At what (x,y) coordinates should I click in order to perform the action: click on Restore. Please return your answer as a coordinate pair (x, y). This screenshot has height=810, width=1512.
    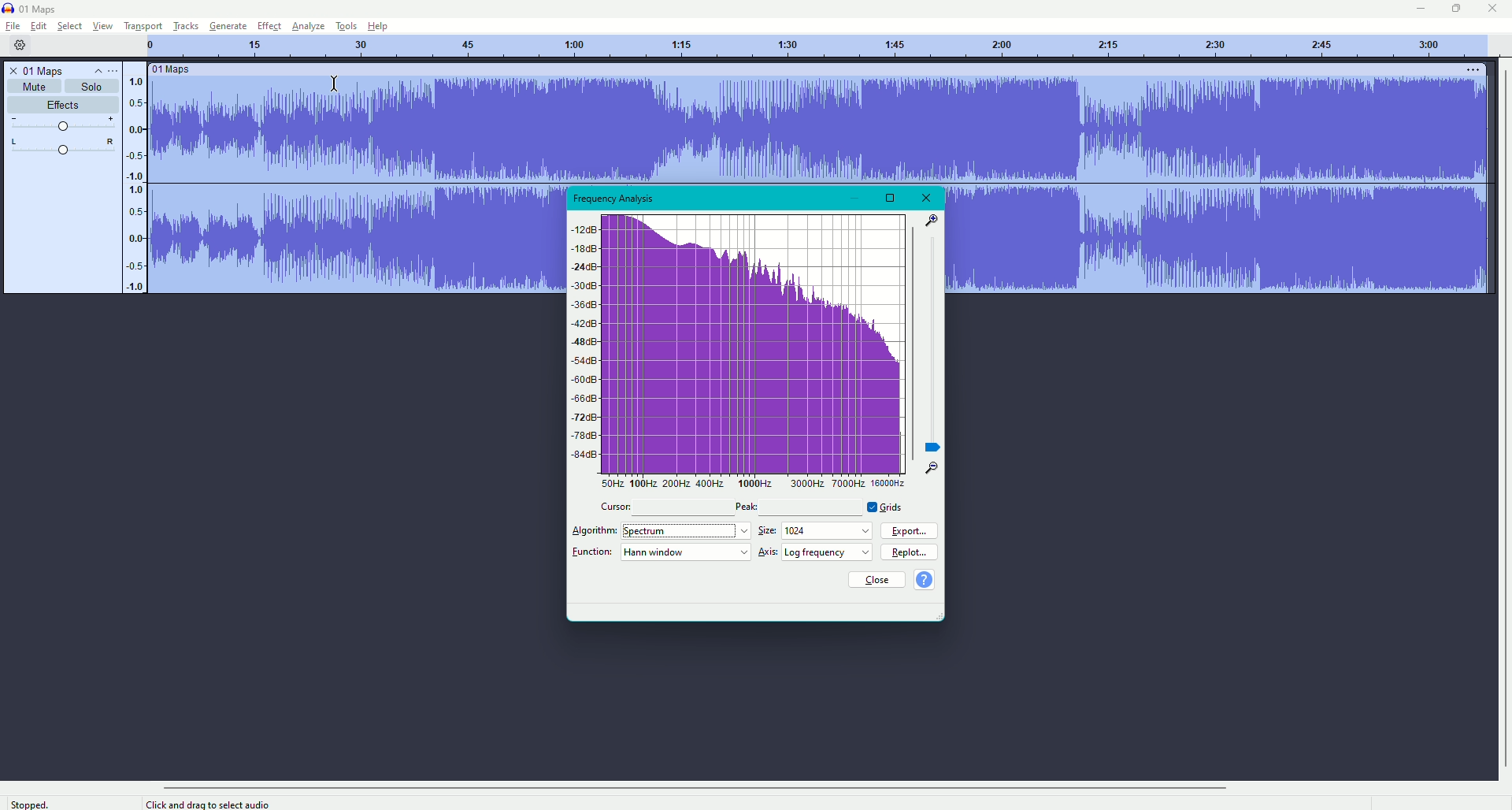
    Looking at the image, I should click on (1452, 9).